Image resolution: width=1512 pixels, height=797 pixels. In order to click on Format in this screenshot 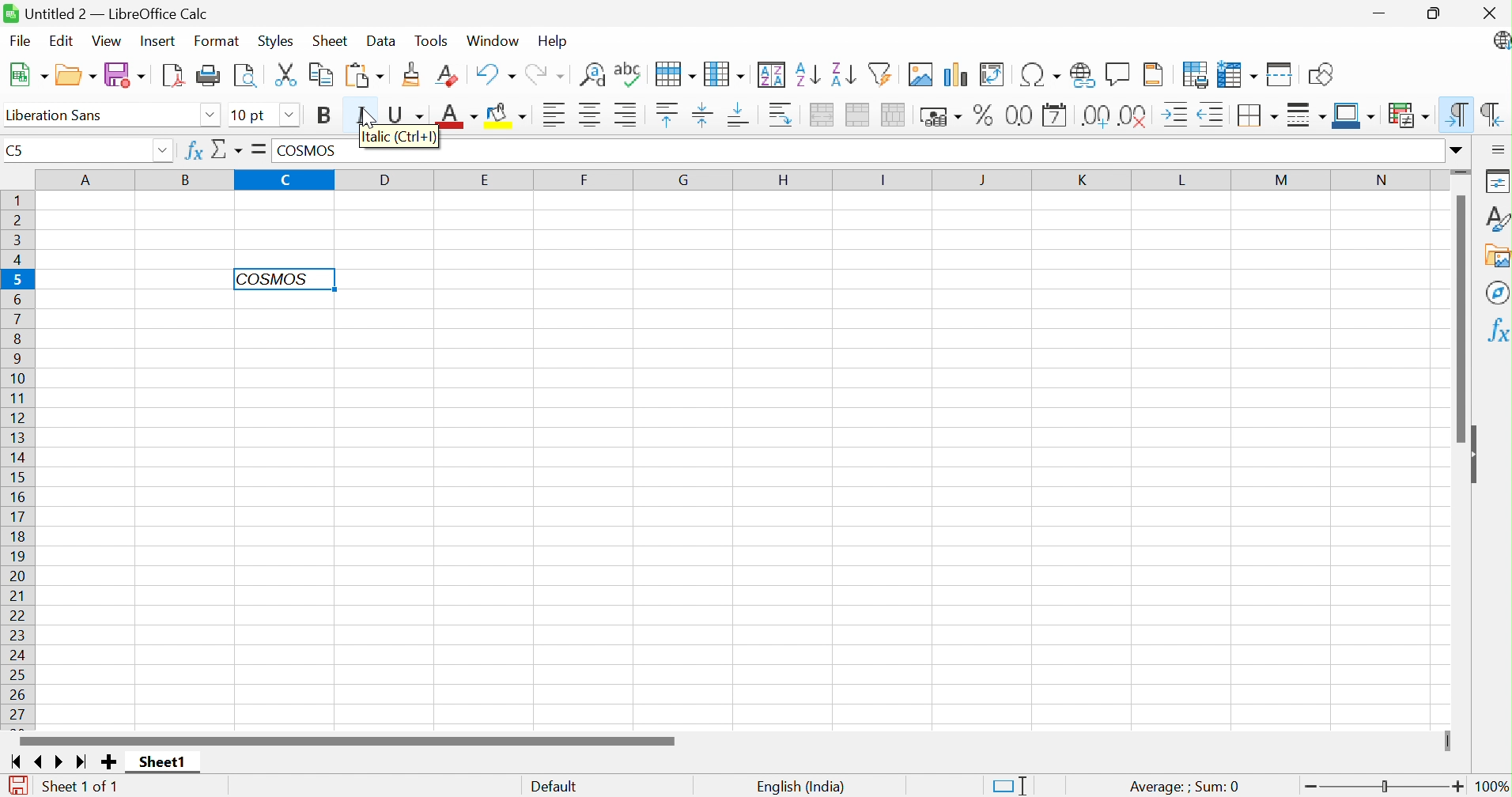, I will do `click(219, 41)`.